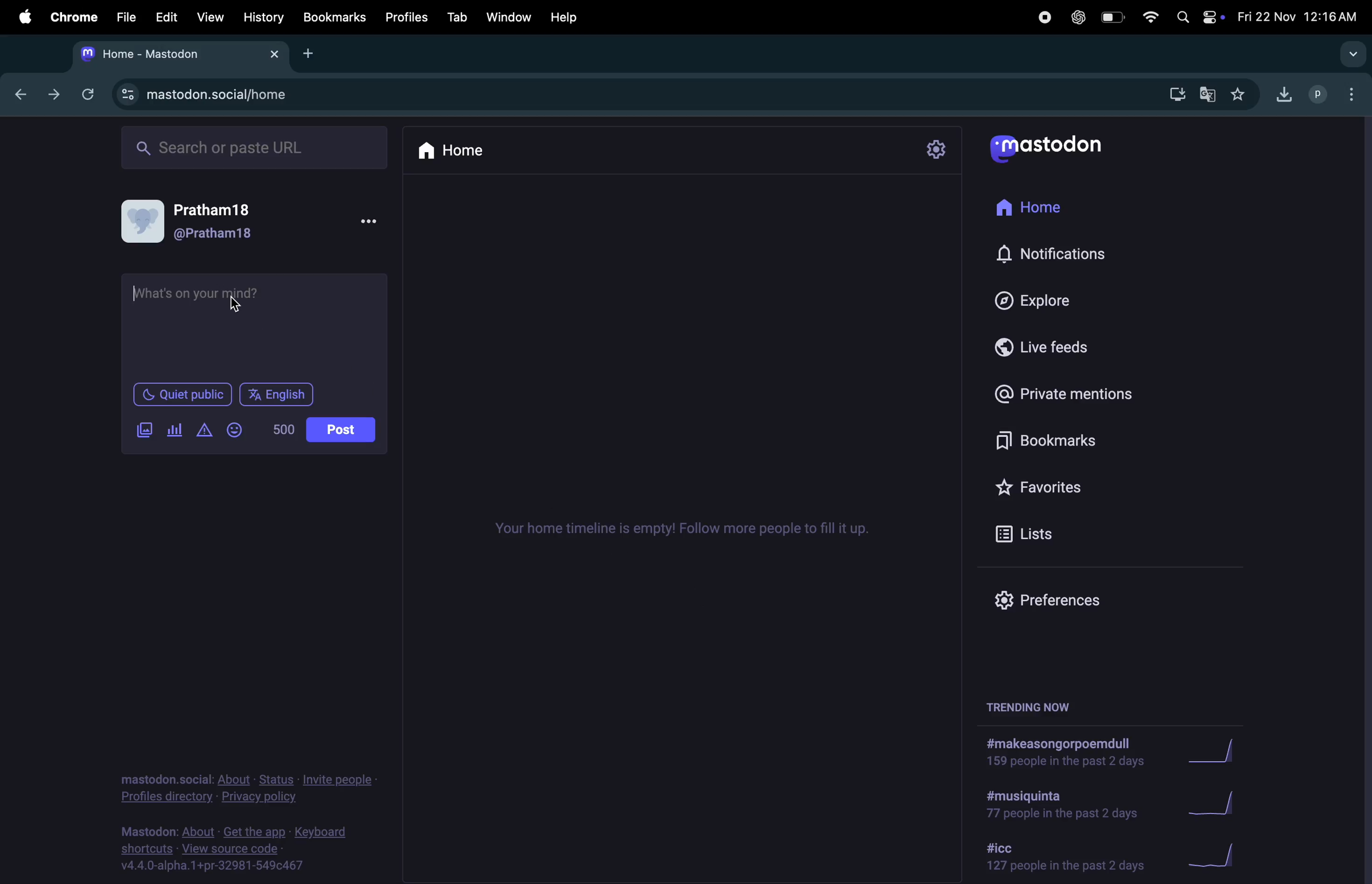  I want to click on view, so click(211, 17).